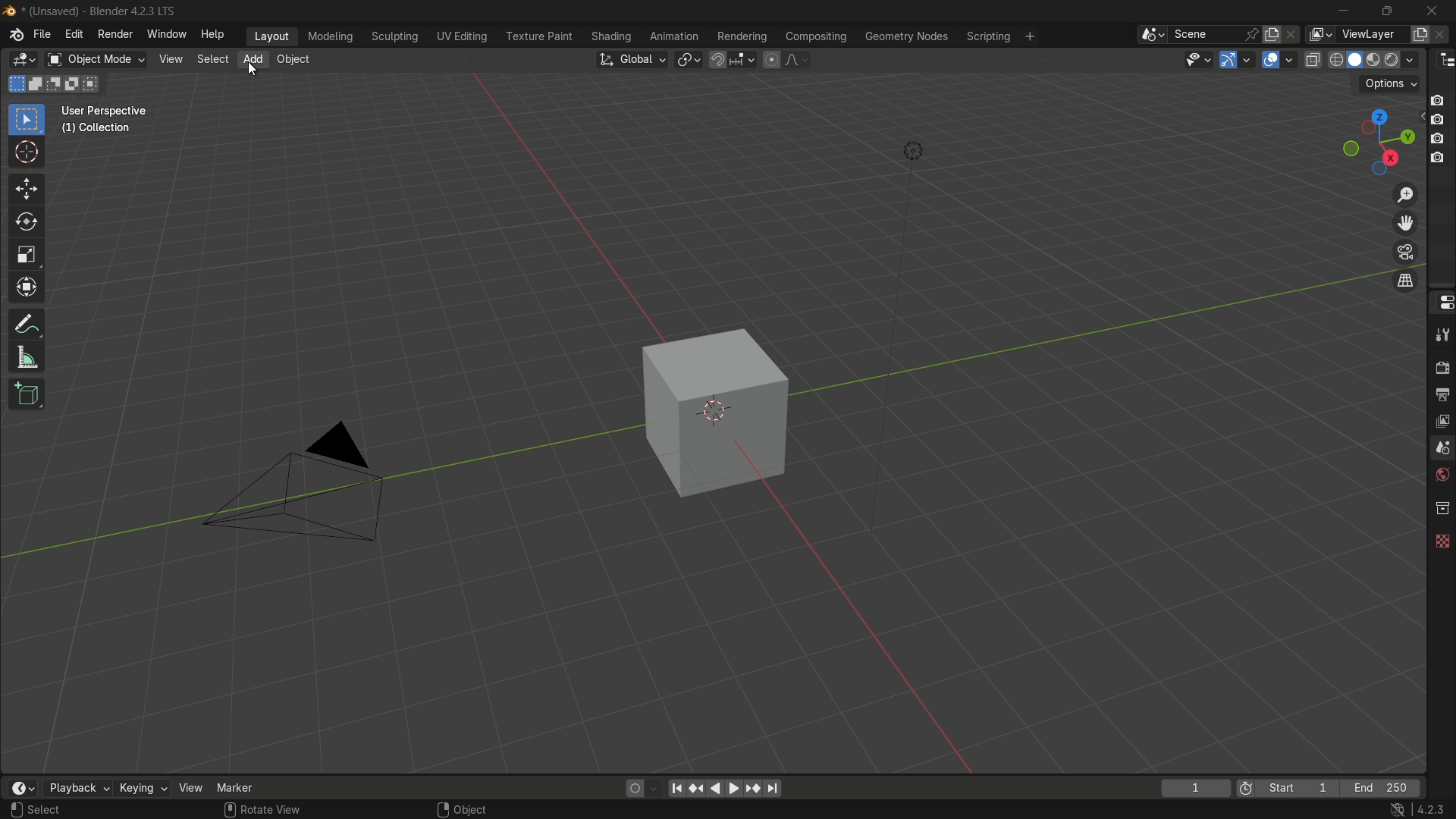 The width and height of the screenshot is (1456, 819). I want to click on back, so click(714, 789).